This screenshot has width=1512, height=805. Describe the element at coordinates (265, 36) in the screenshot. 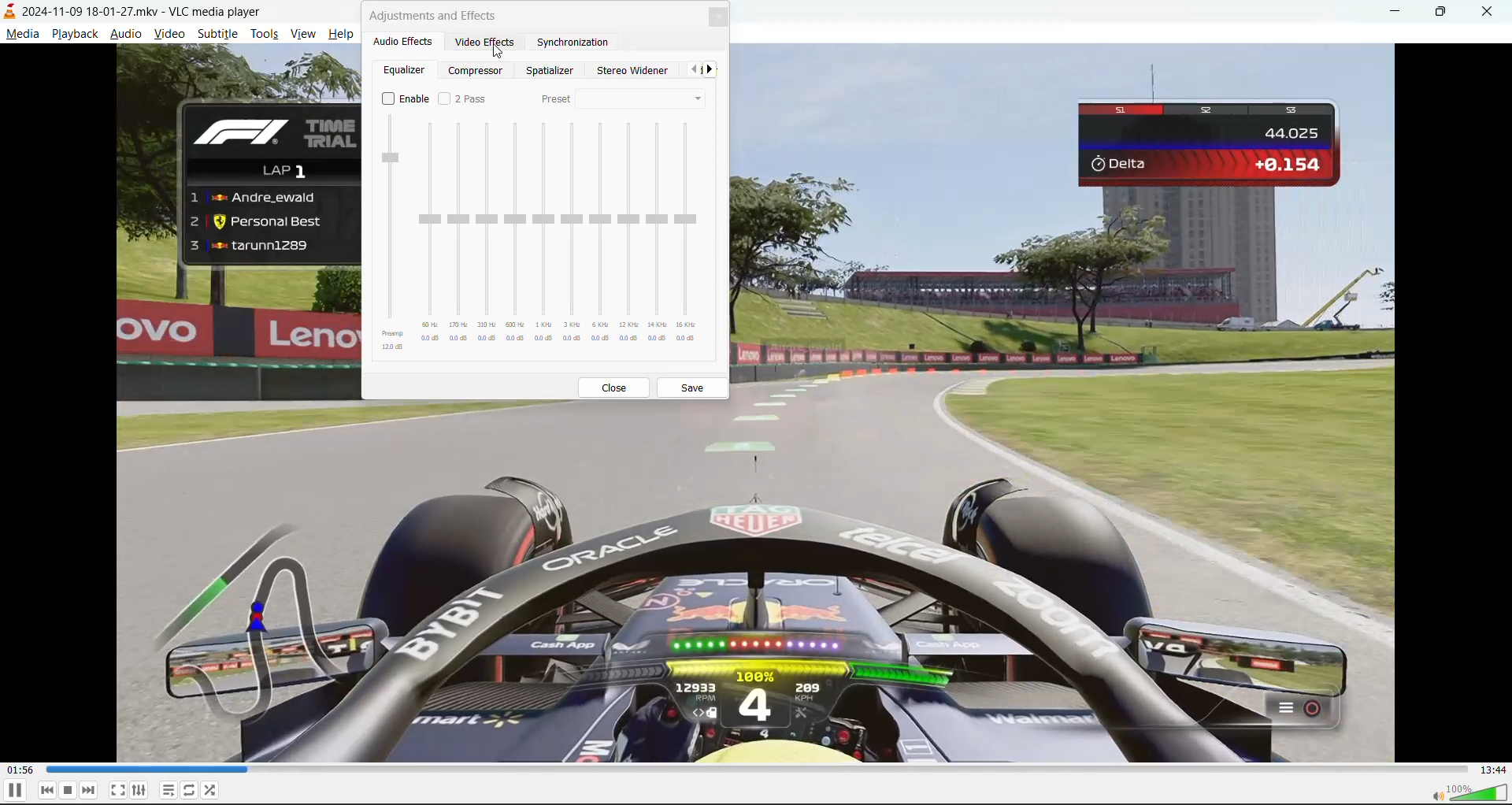

I see `tools` at that location.